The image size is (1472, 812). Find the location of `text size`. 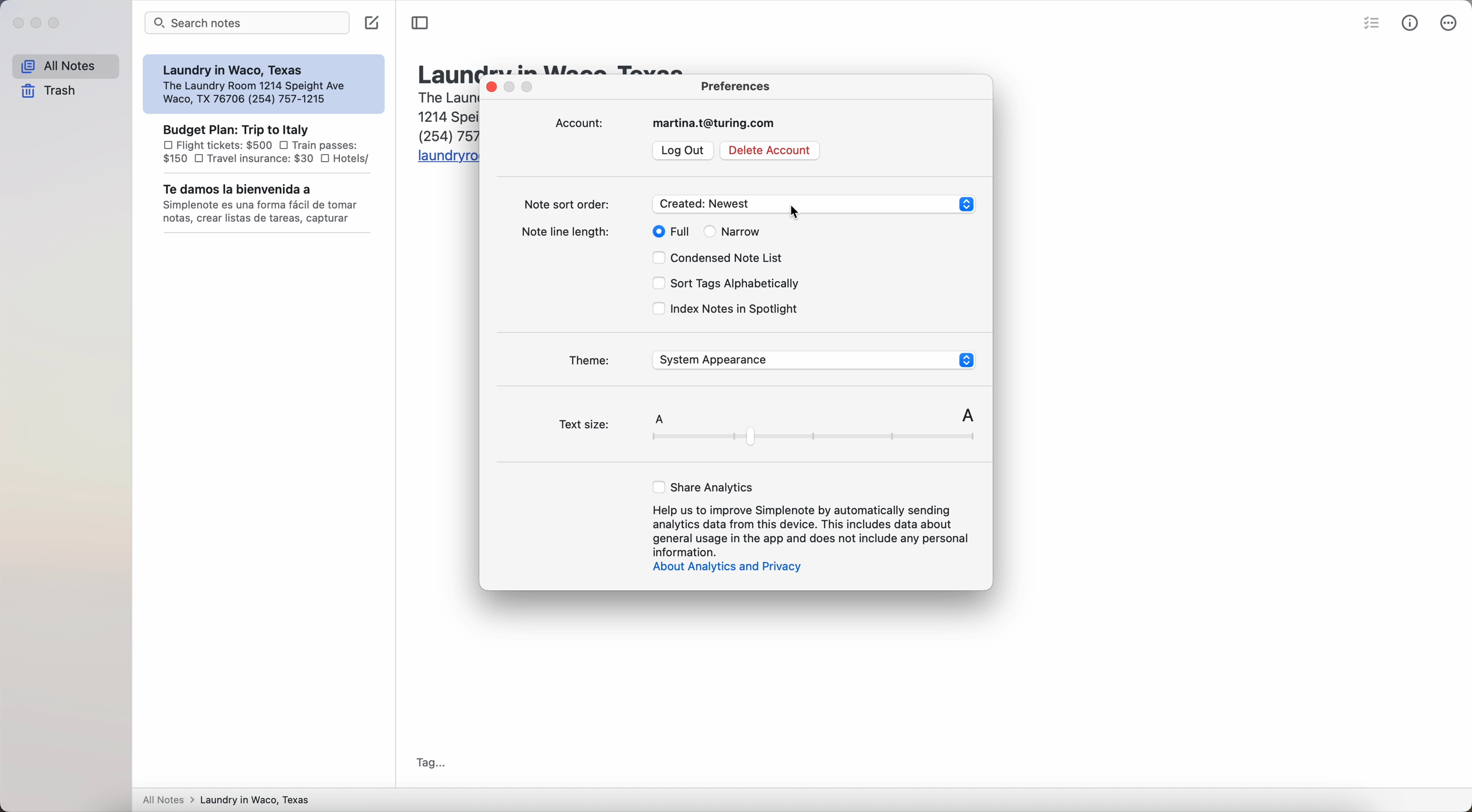

text size is located at coordinates (765, 429).